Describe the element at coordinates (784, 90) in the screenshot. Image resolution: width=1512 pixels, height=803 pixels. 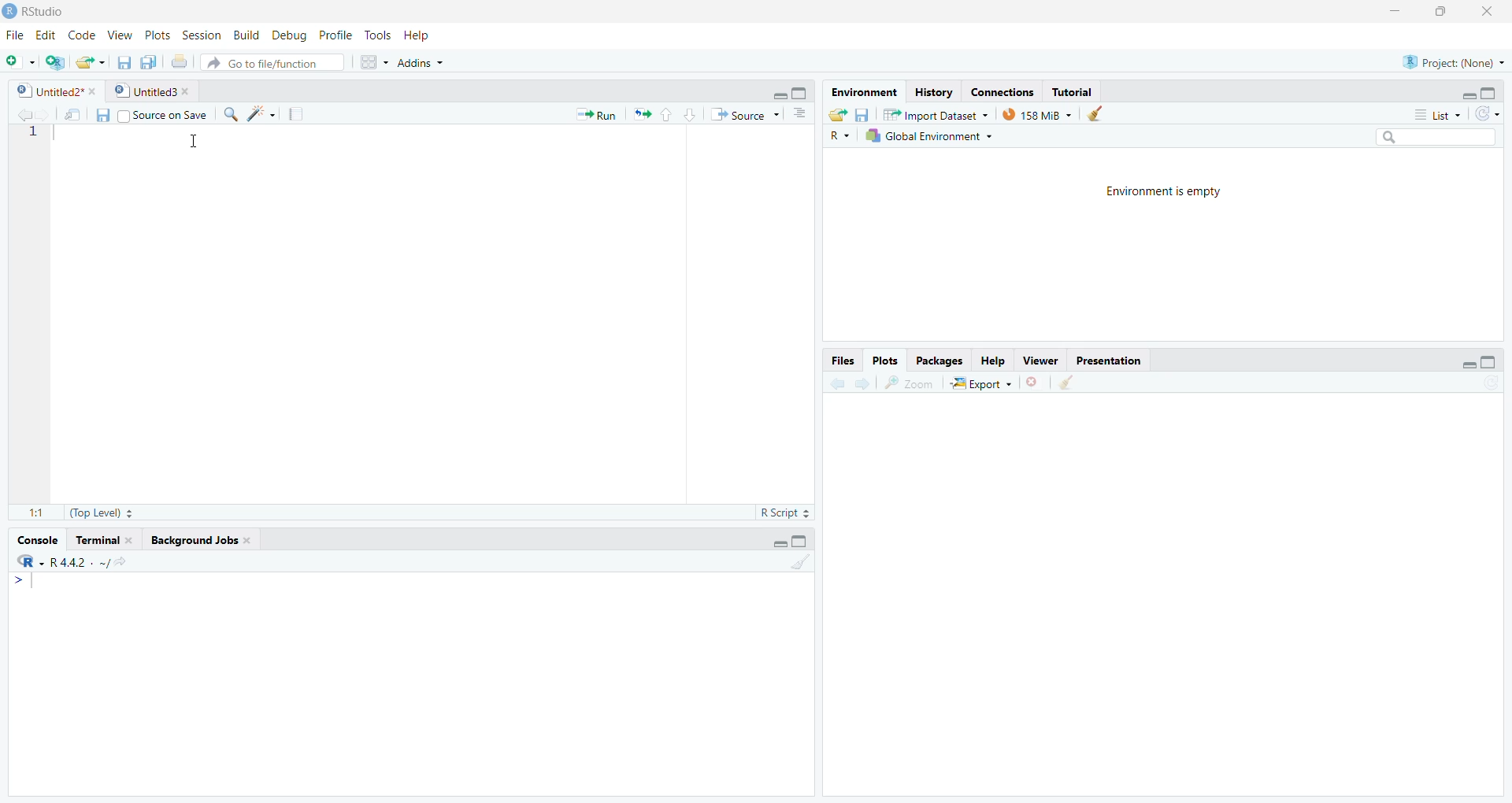
I see `Maximize/minimize` at that location.